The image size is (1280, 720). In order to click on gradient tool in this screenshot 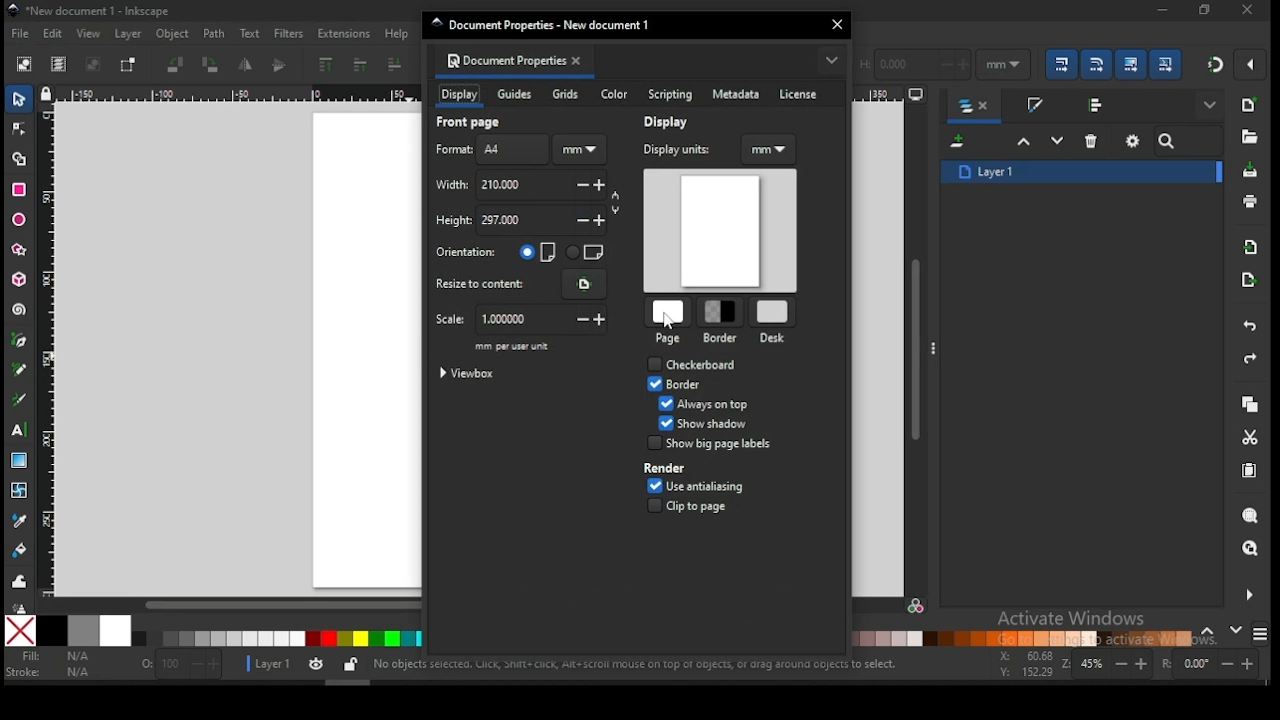, I will do `click(21, 462)`.